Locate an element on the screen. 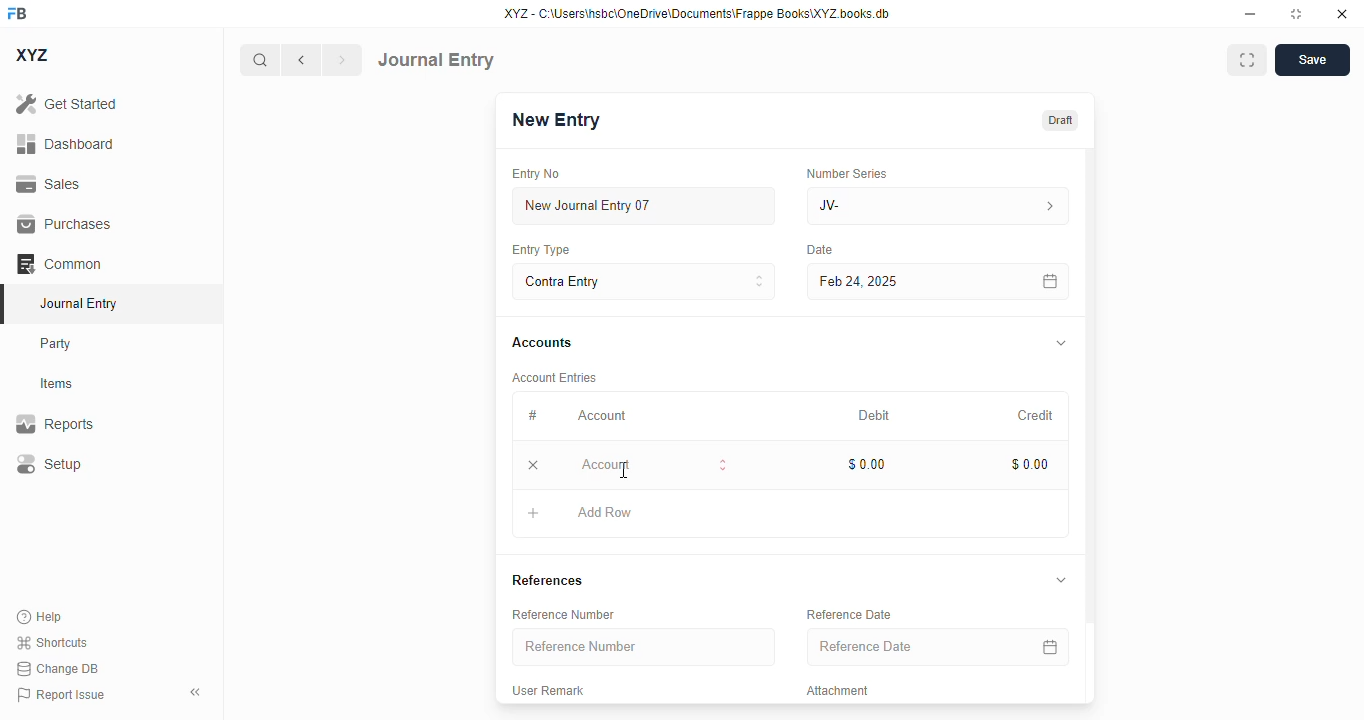  common is located at coordinates (59, 263).